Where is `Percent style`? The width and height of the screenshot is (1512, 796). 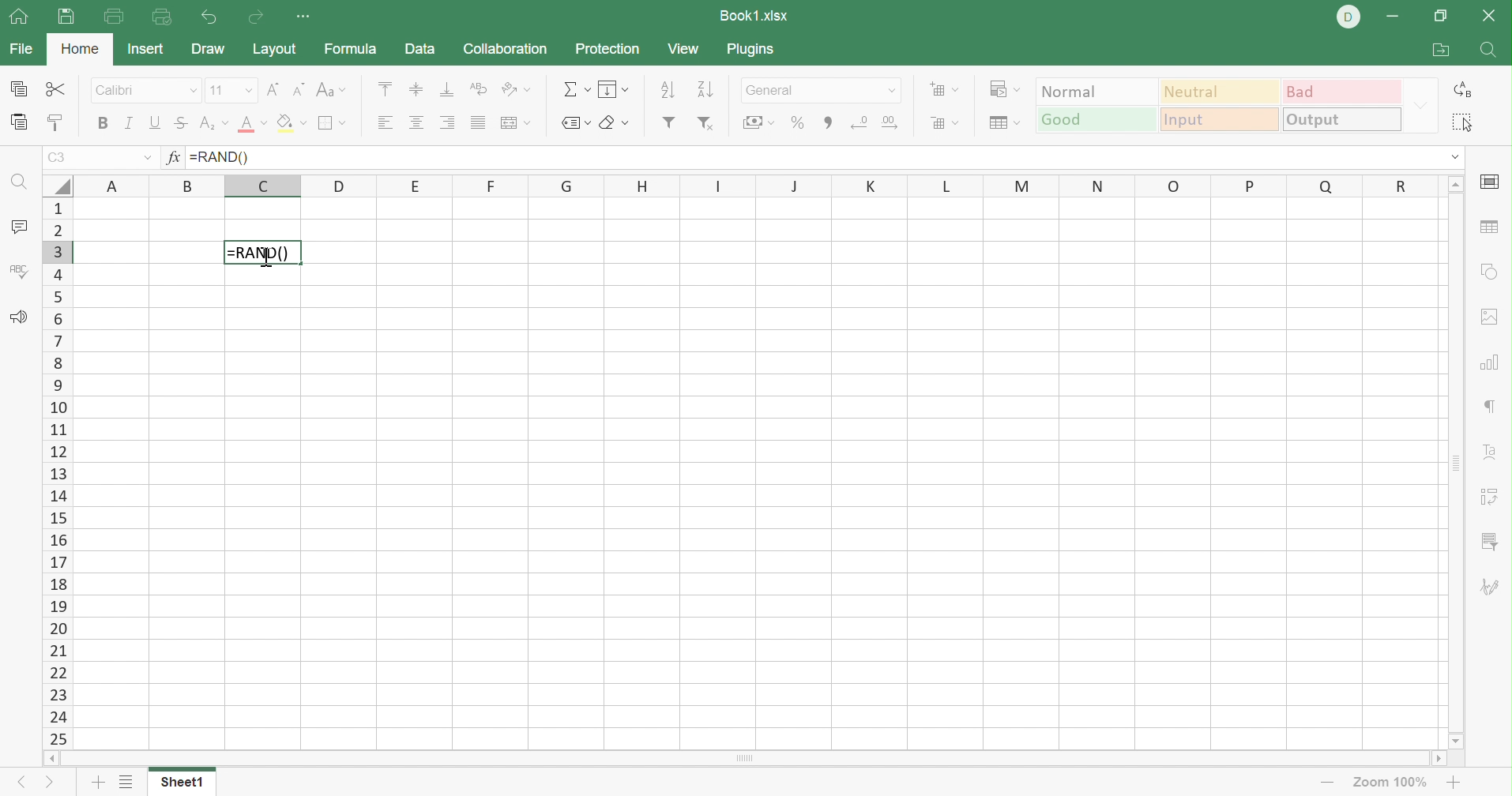
Percent style is located at coordinates (800, 122).